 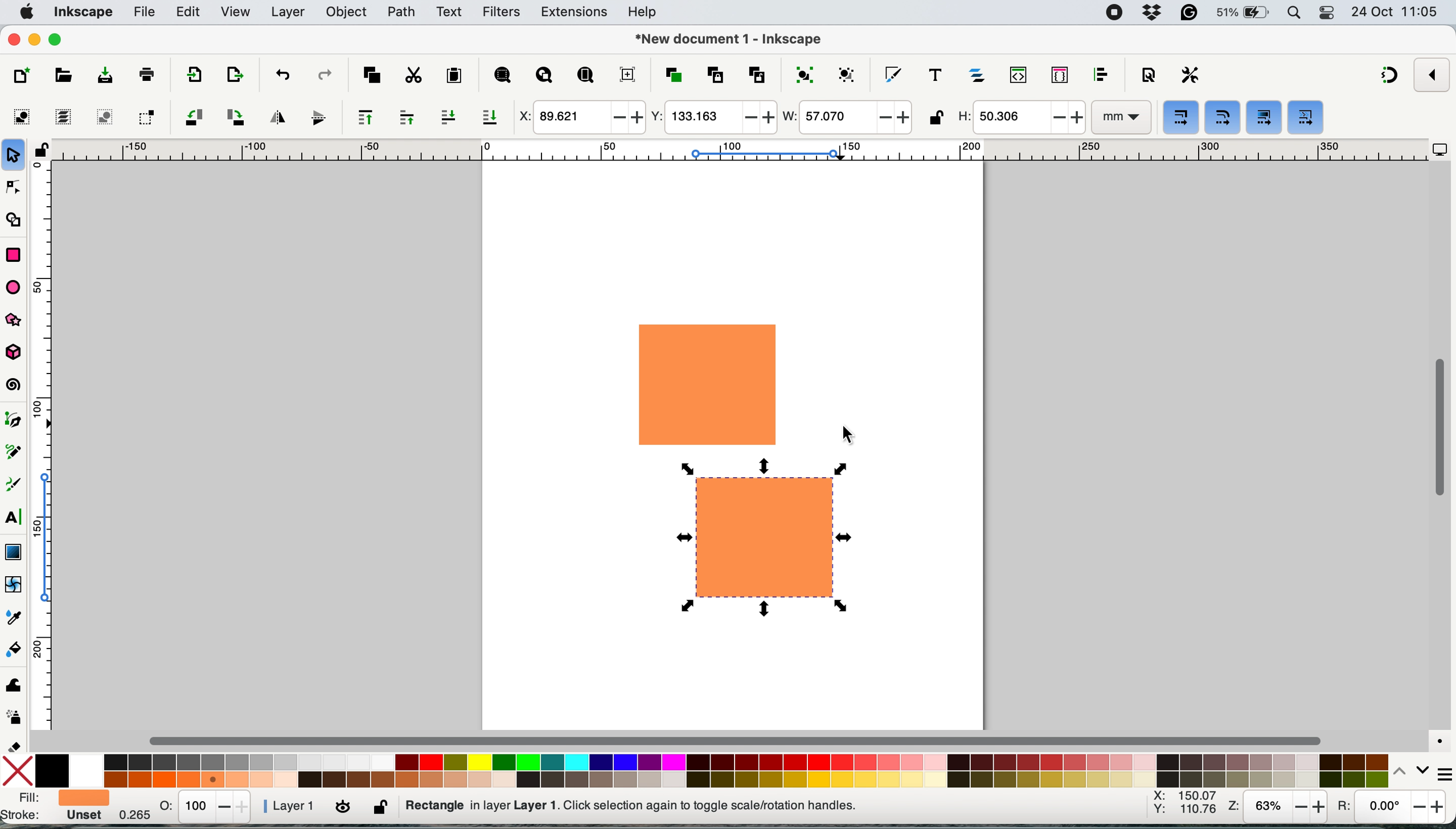 I want to click on zoom selection, so click(x=501, y=76).